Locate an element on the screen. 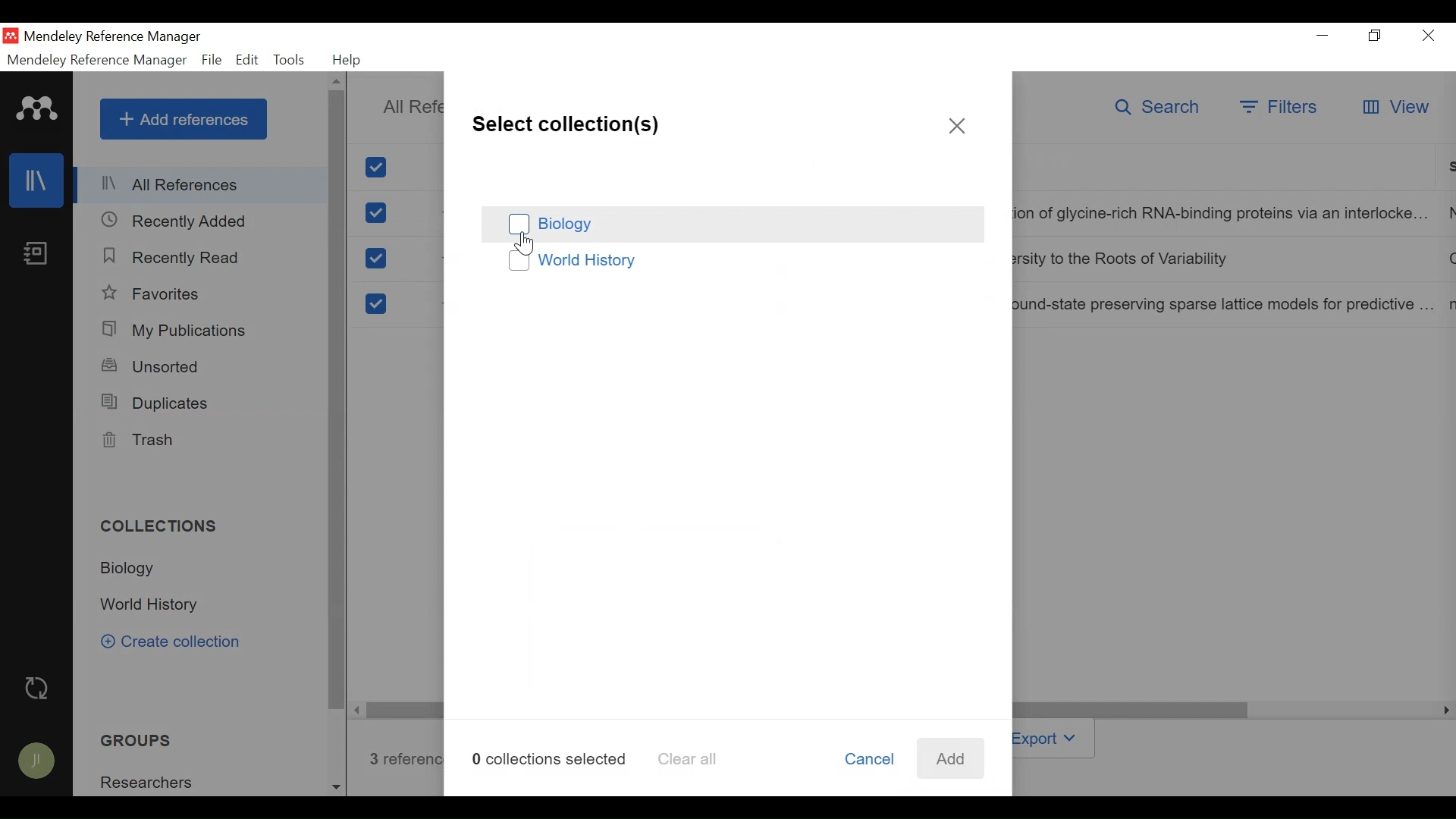 This screenshot has height=819, width=1456. Recently Added is located at coordinates (174, 221).